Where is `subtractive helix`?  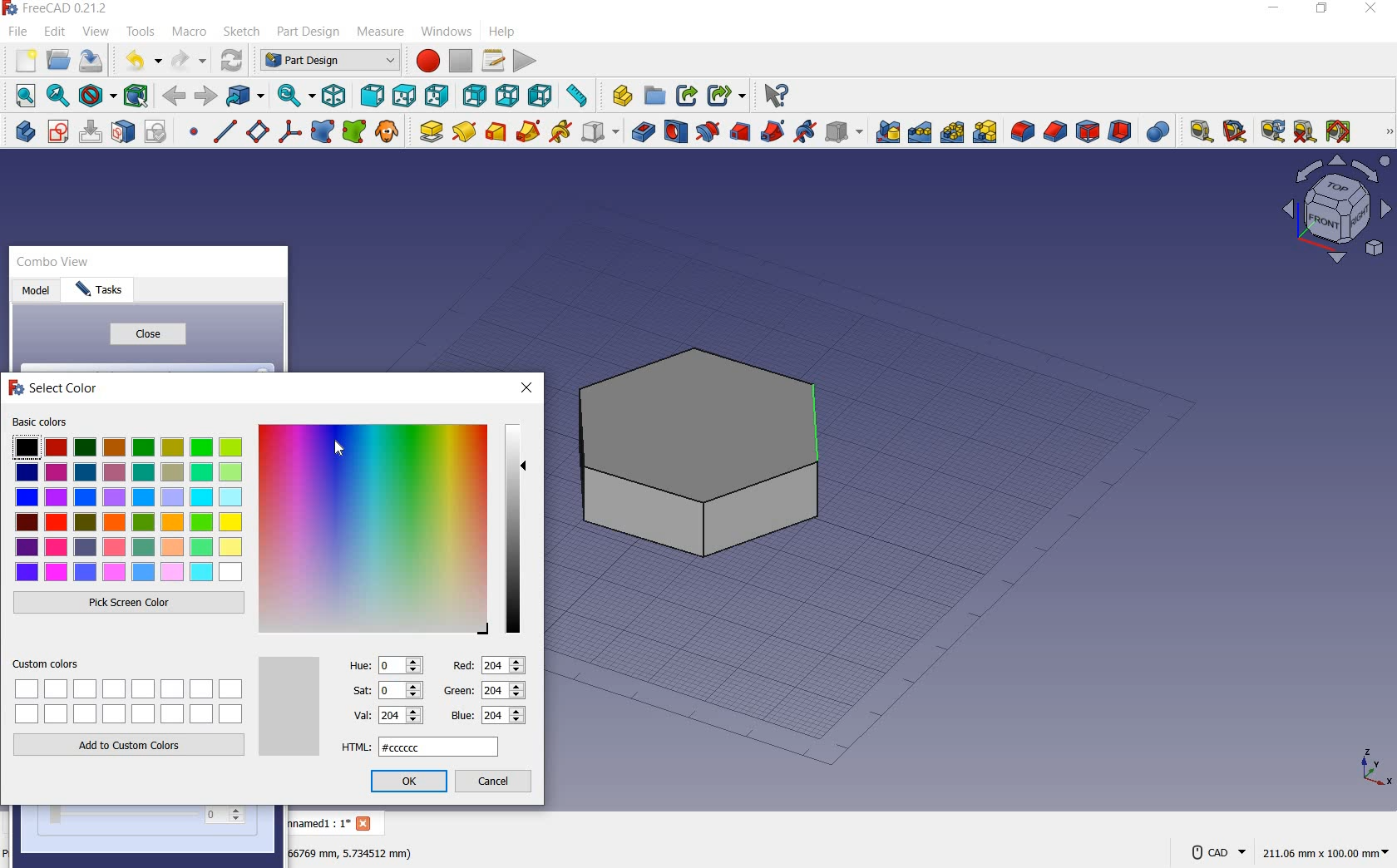
subtractive helix is located at coordinates (805, 133).